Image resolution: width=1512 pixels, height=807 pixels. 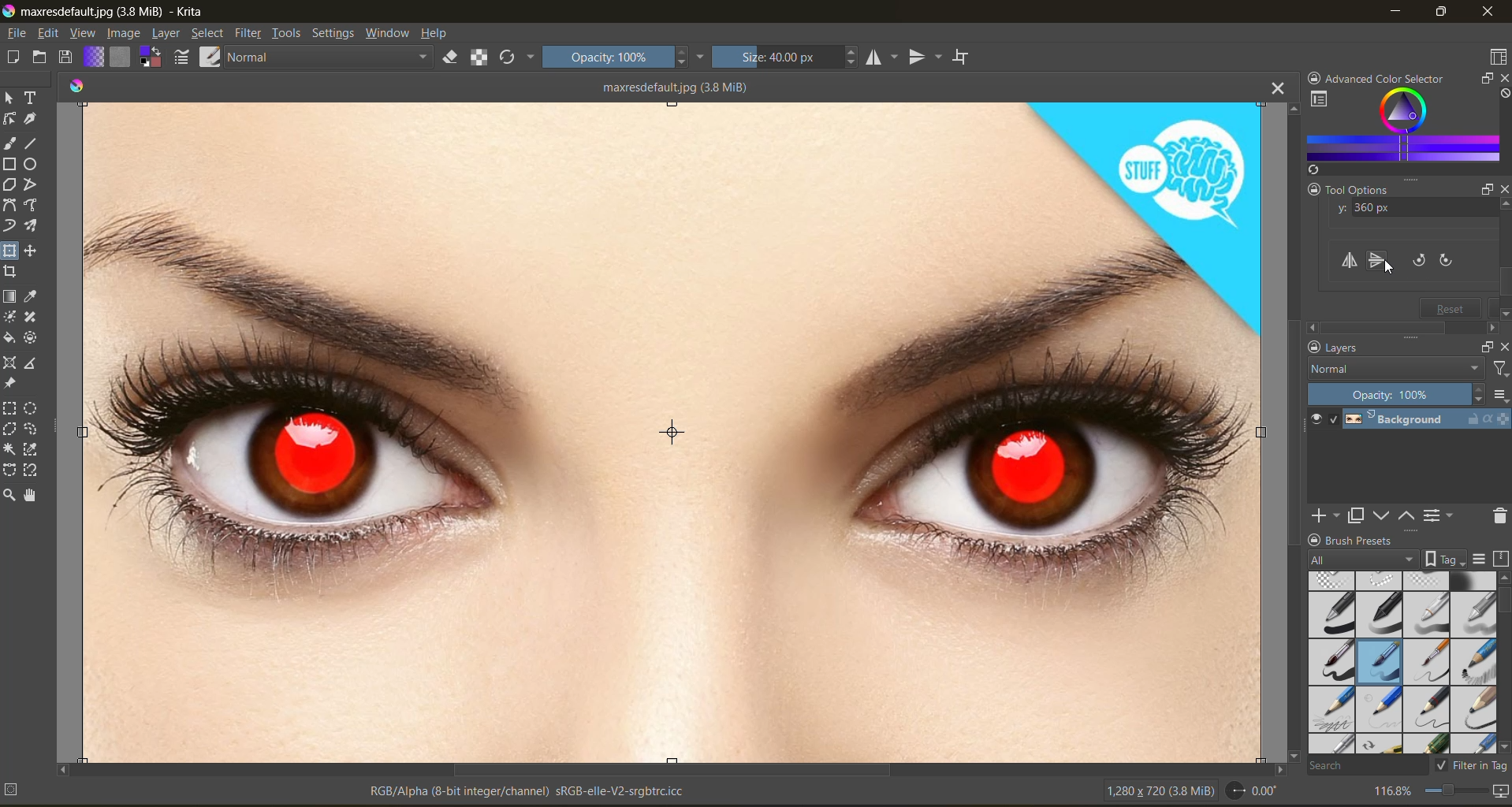 What do you see at coordinates (11, 430) in the screenshot?
I see `tool` at bounding box center [11, 430].